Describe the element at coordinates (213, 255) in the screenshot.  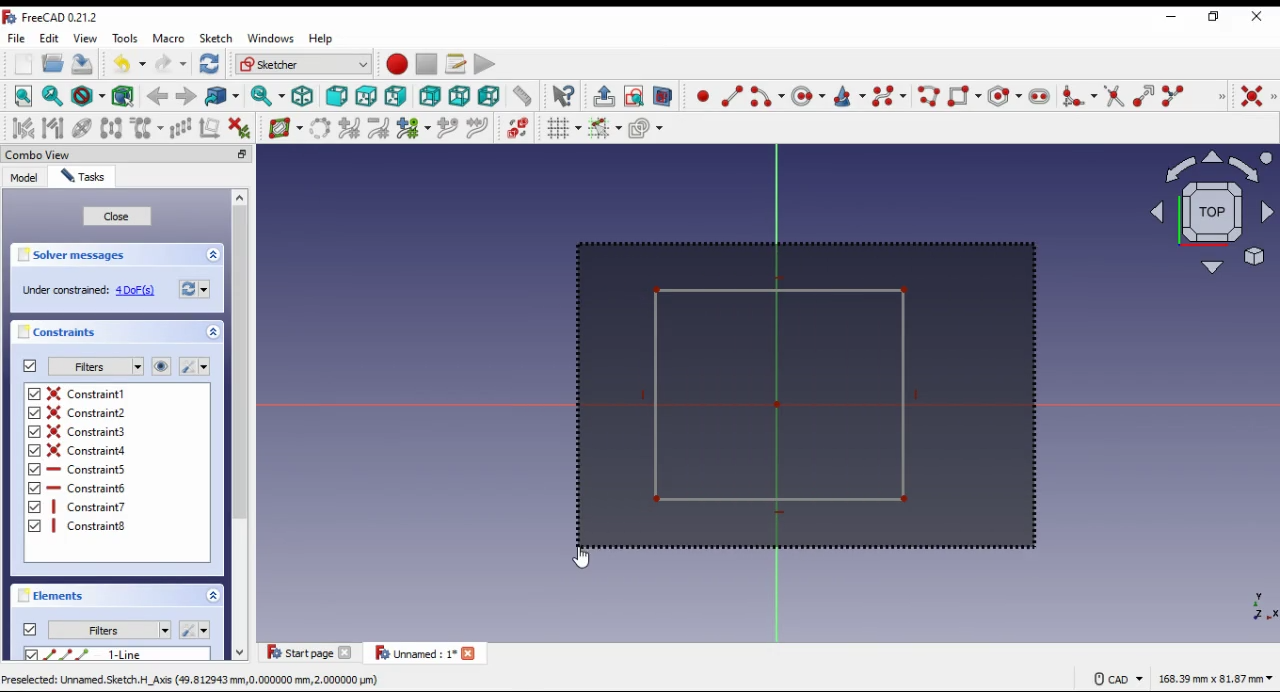
I see `collapse` at that location.